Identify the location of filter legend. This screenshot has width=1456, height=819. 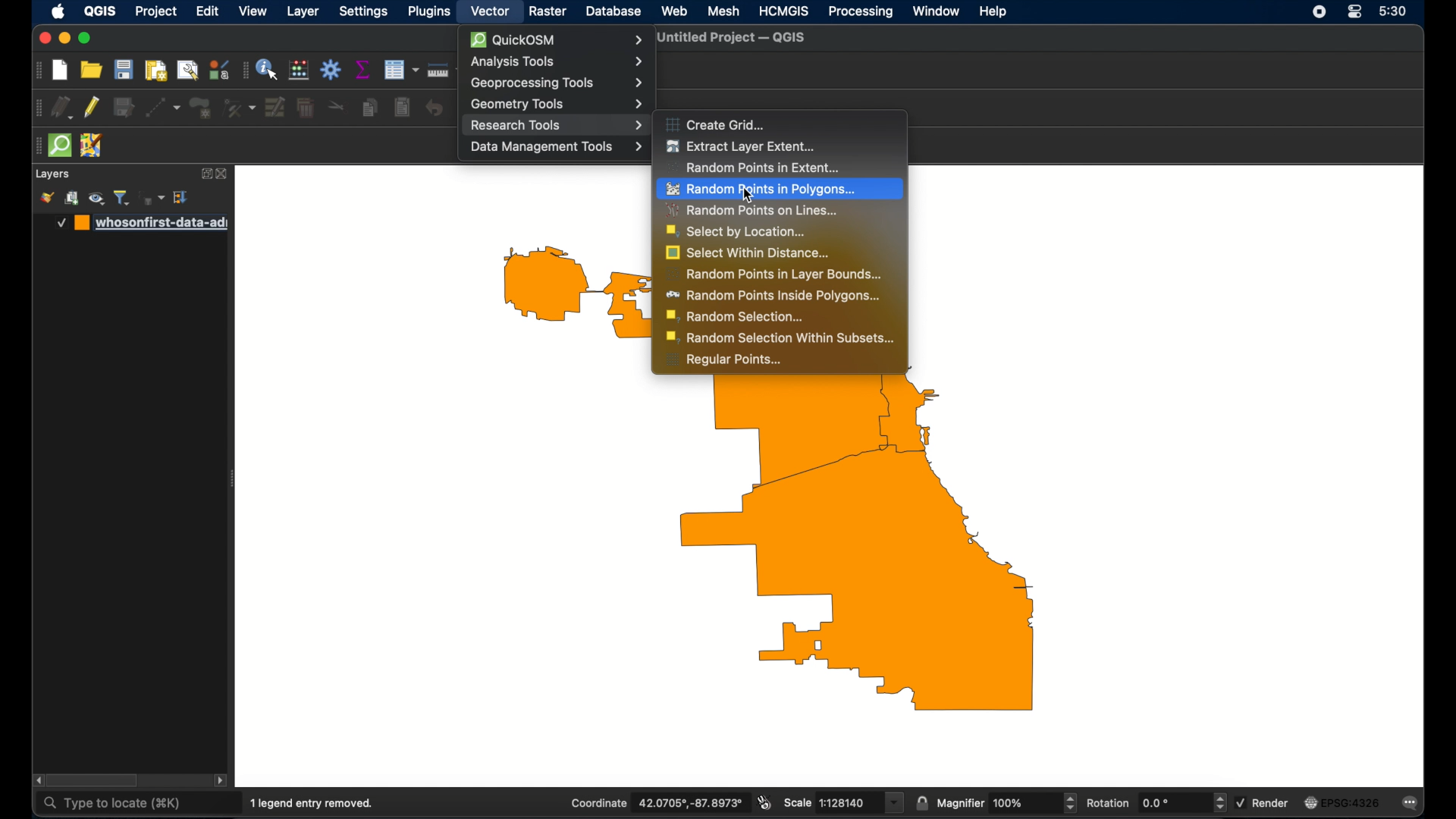
(124, 197).